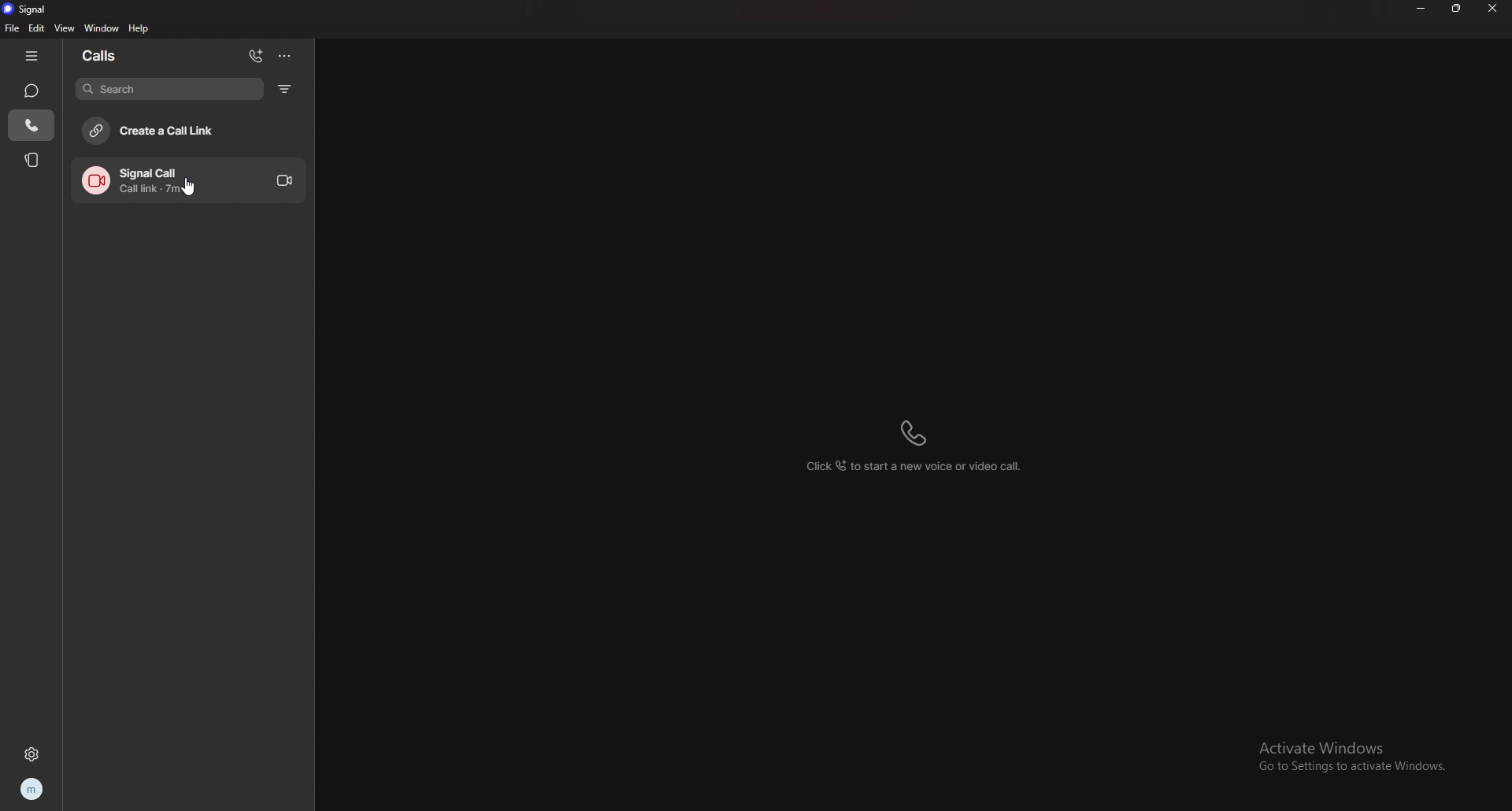 The image size is (1512, 811). I want to click on chats, so click(32, 91).